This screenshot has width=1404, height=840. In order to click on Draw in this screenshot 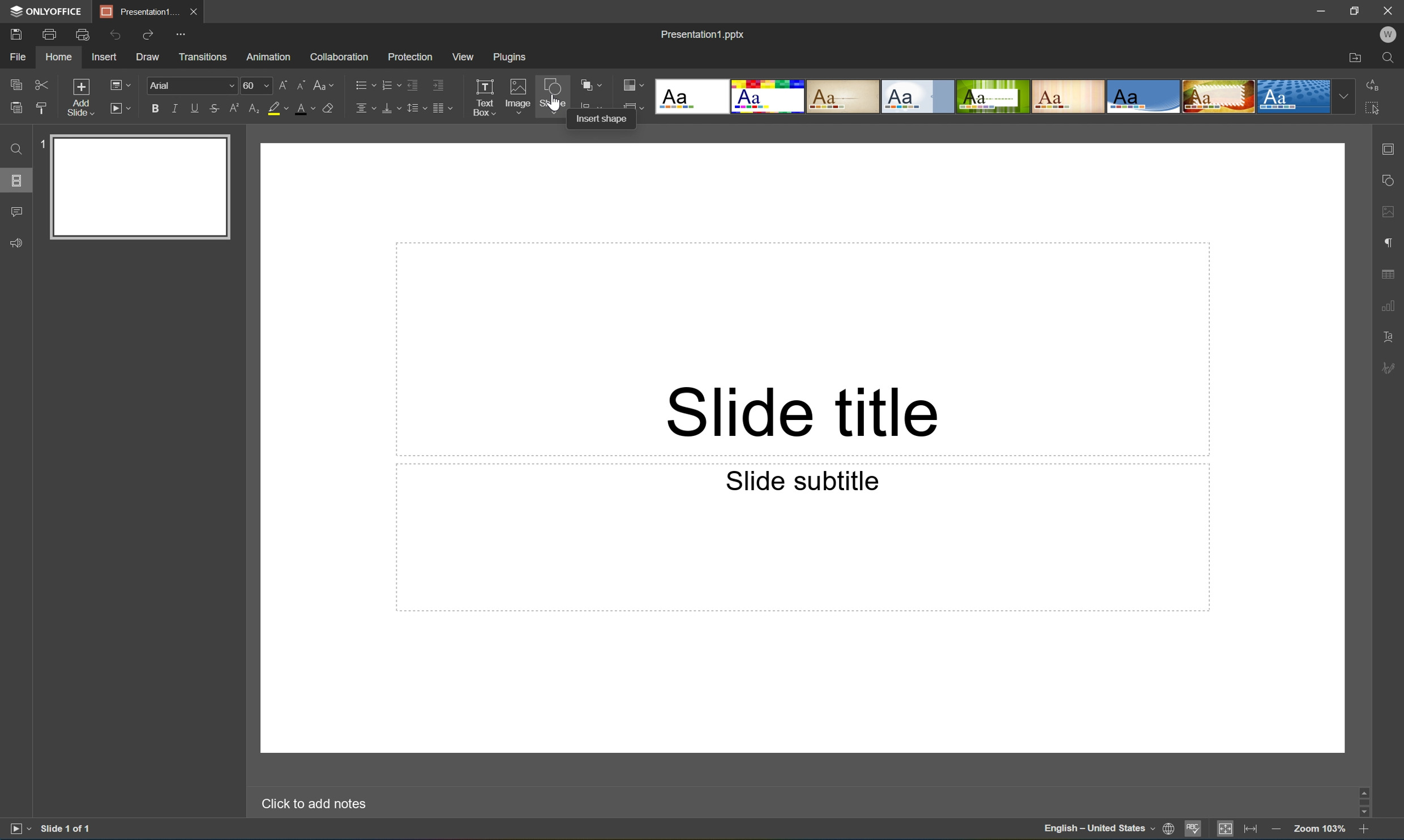, I will do `click(149, 58)`.